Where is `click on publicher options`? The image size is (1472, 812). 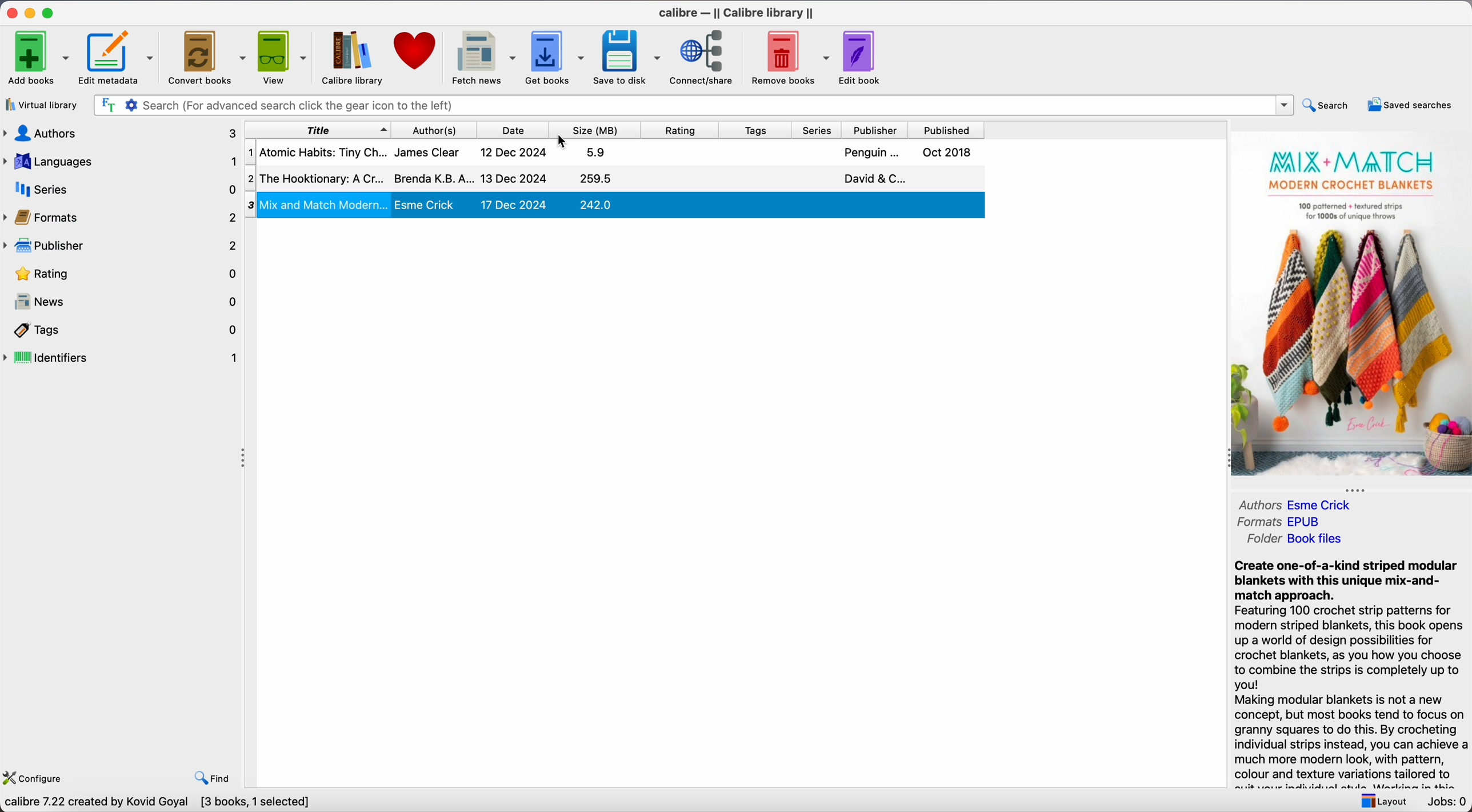
click on publicher options is located at coordinates (121, 247).